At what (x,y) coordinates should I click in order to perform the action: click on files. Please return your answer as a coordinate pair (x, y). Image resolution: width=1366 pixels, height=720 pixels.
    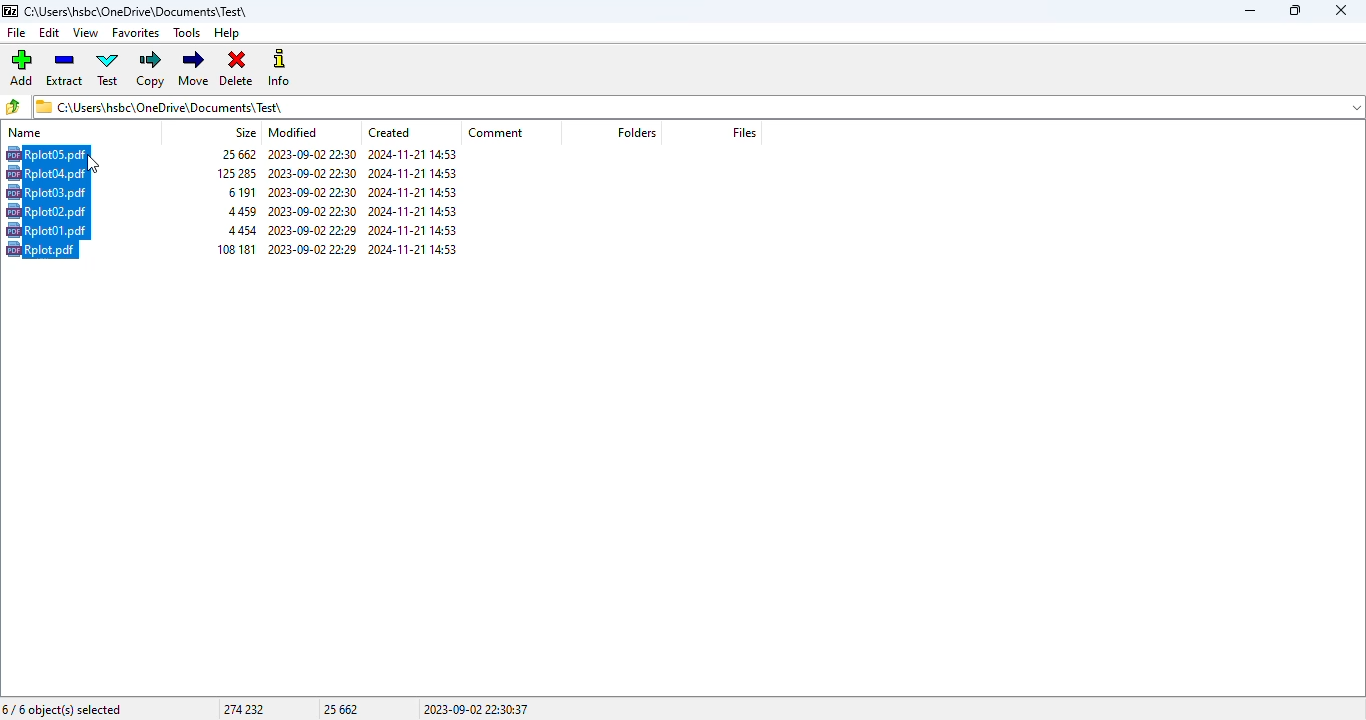
    Looking at the image, I should click on (744, 132).